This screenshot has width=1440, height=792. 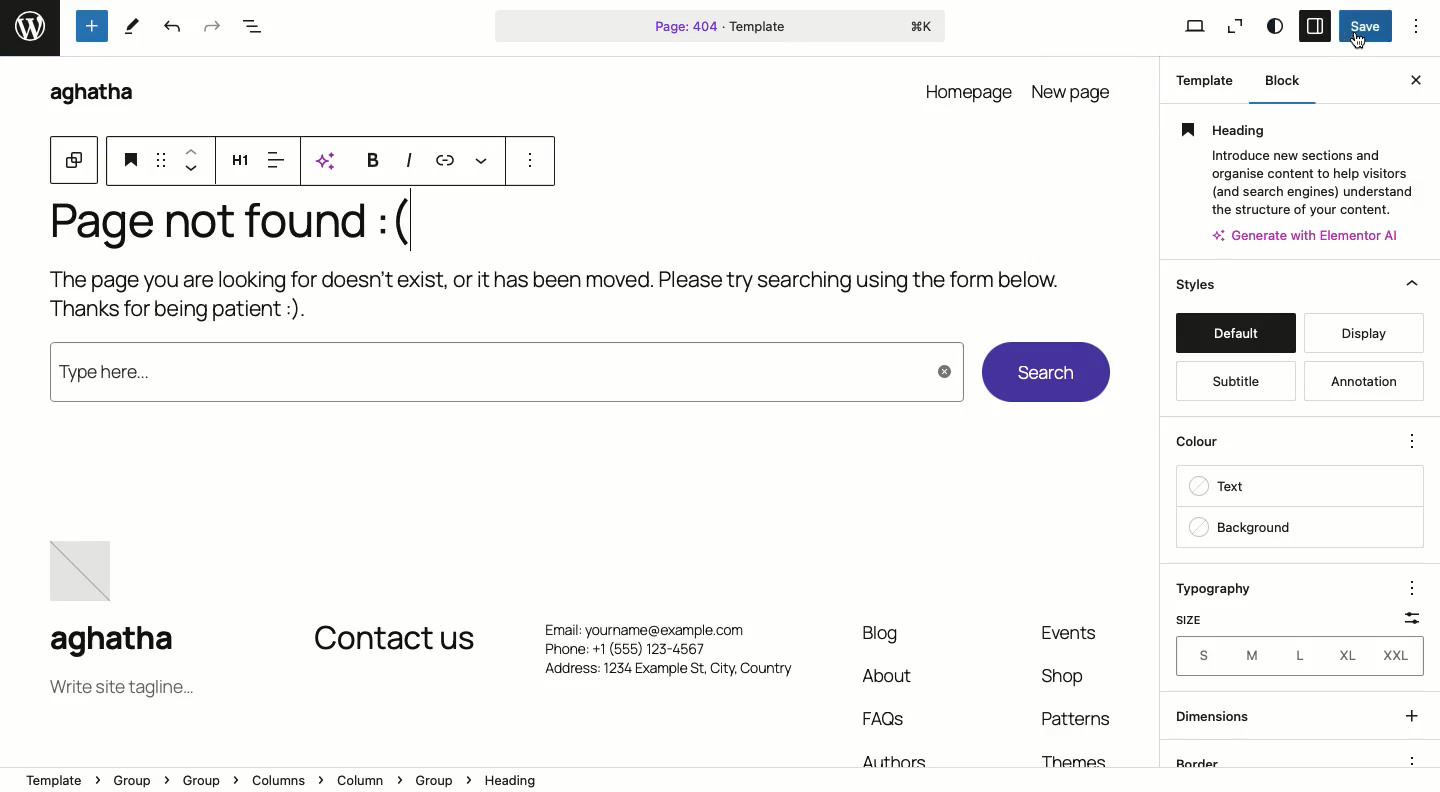 What do you see at coordinates (892, 675) in the screenshot?
I see `About` at bounding box center [892, 675].